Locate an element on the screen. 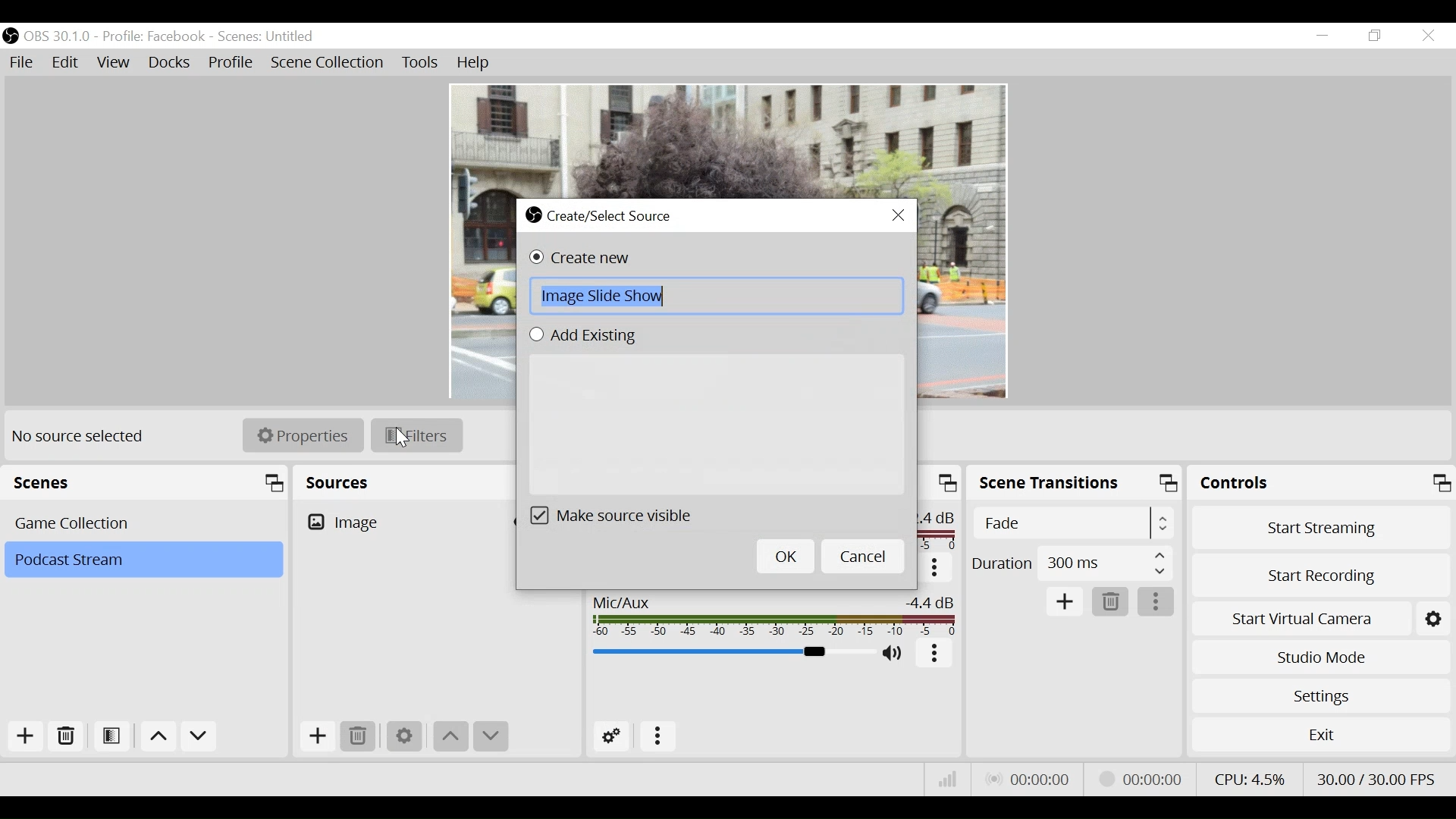 The image size is (1456, 819). Mic/Aux is located at coordinates (770, 613).